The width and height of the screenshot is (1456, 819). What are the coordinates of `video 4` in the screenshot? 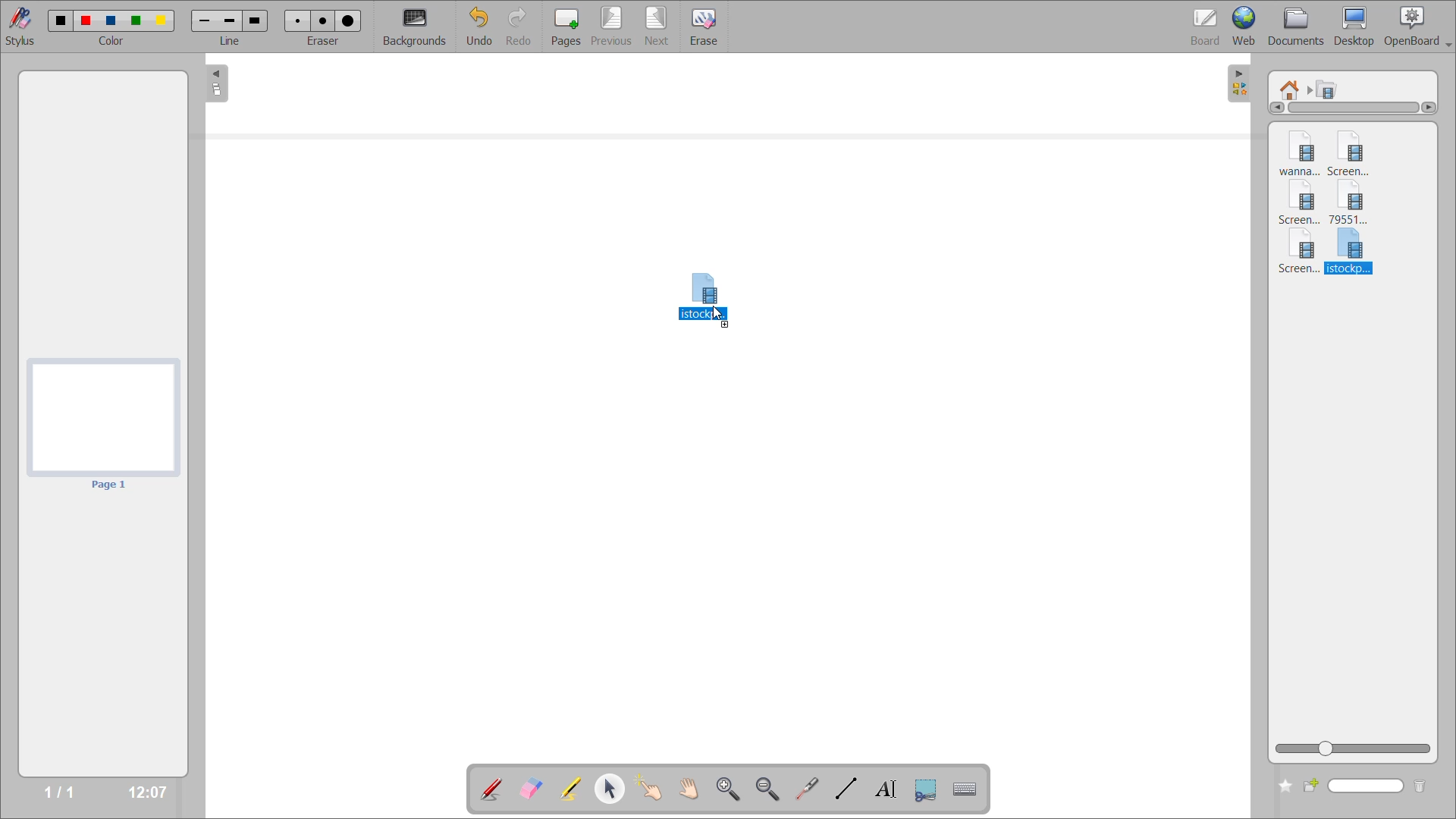 It's located at (1358, 204).